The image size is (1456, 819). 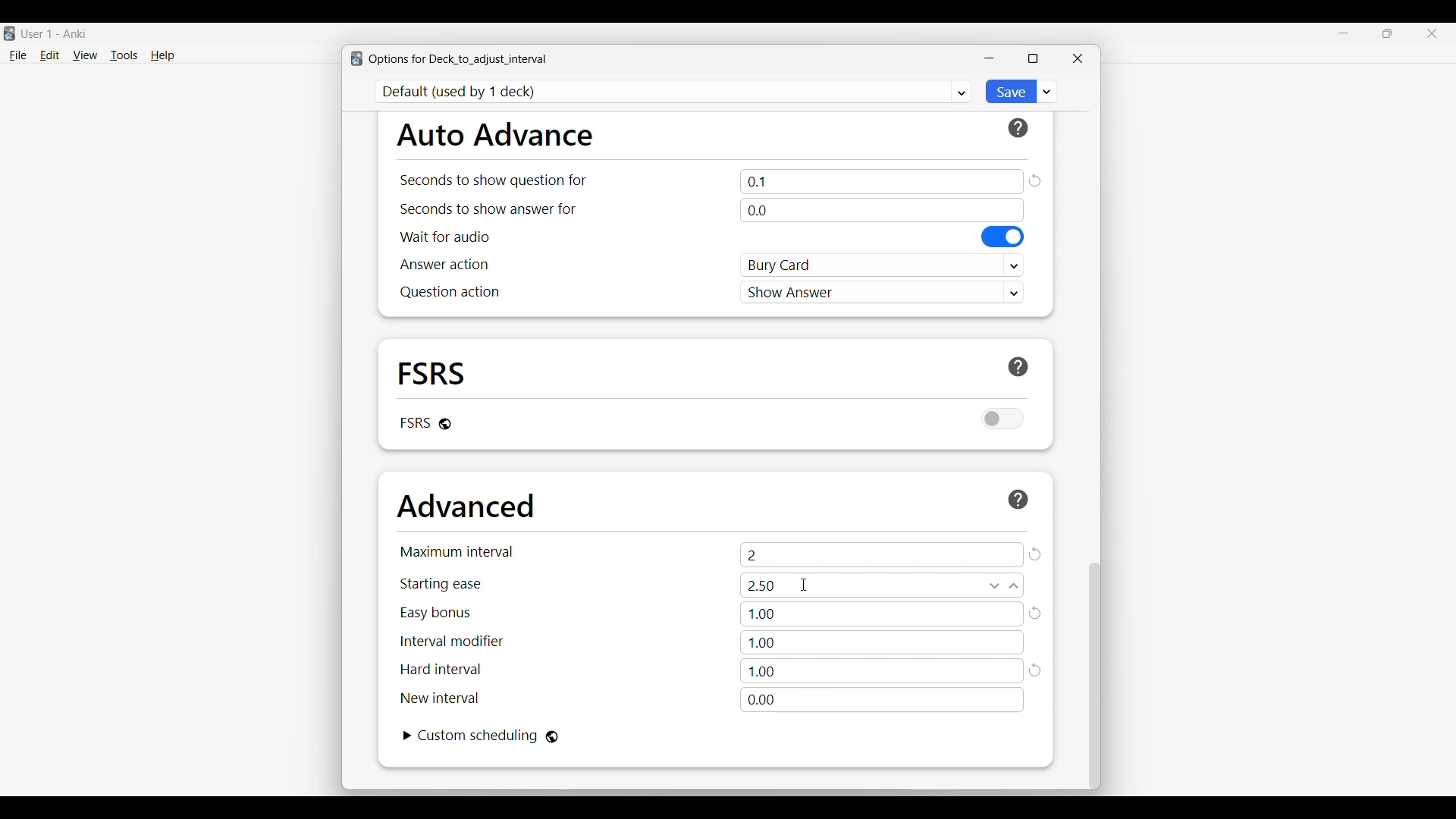 What do you see at coordinates (1009, 92) in the screenshot?
I see `Click to save` at bounding box center [1009, 92].